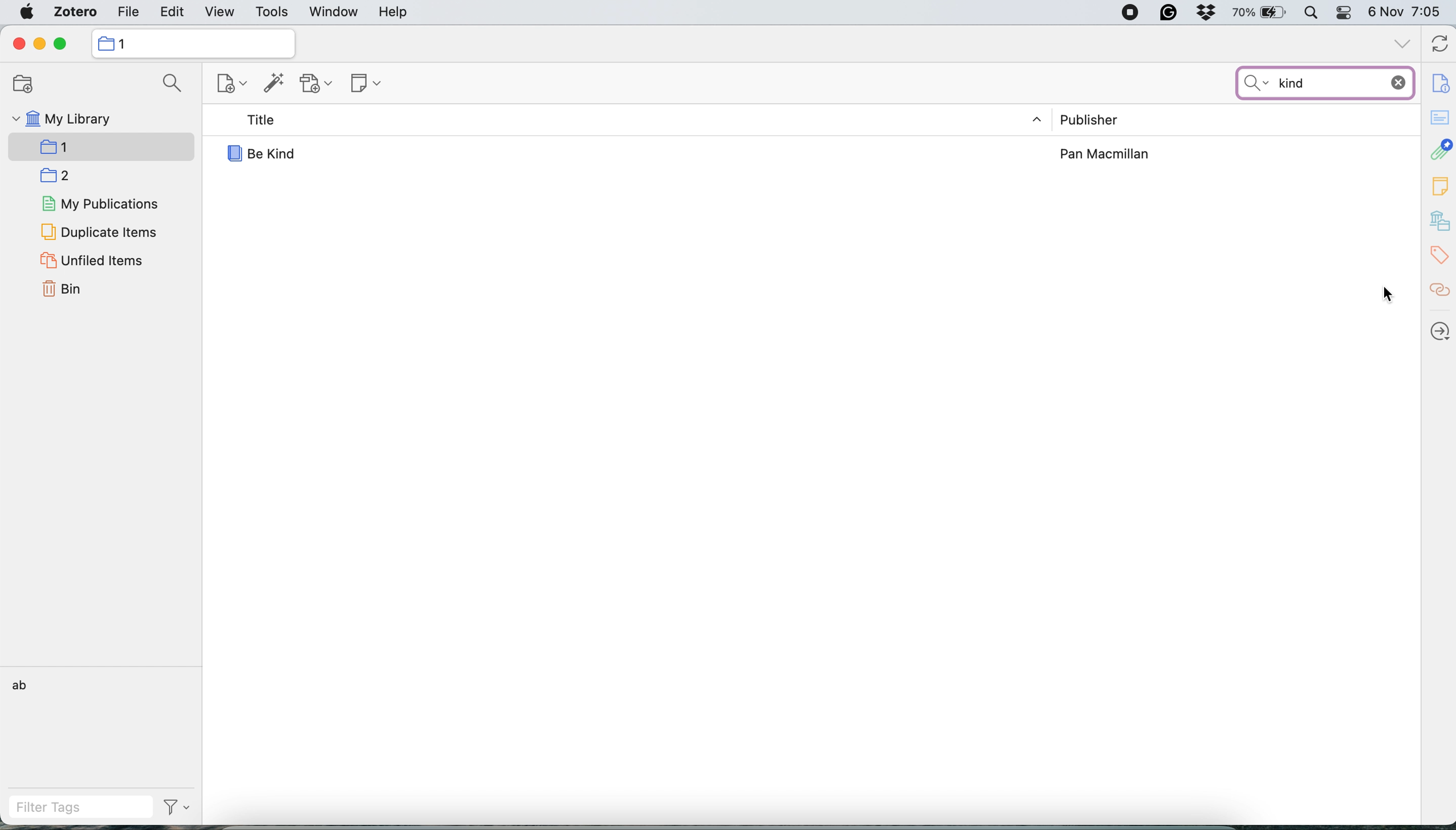 Image resolution: width=1456 pixels, height=830 pixels. Describe the element at coordinates (1407, 12) in the screenshot. I see `6 Nov 7:04` at that location.